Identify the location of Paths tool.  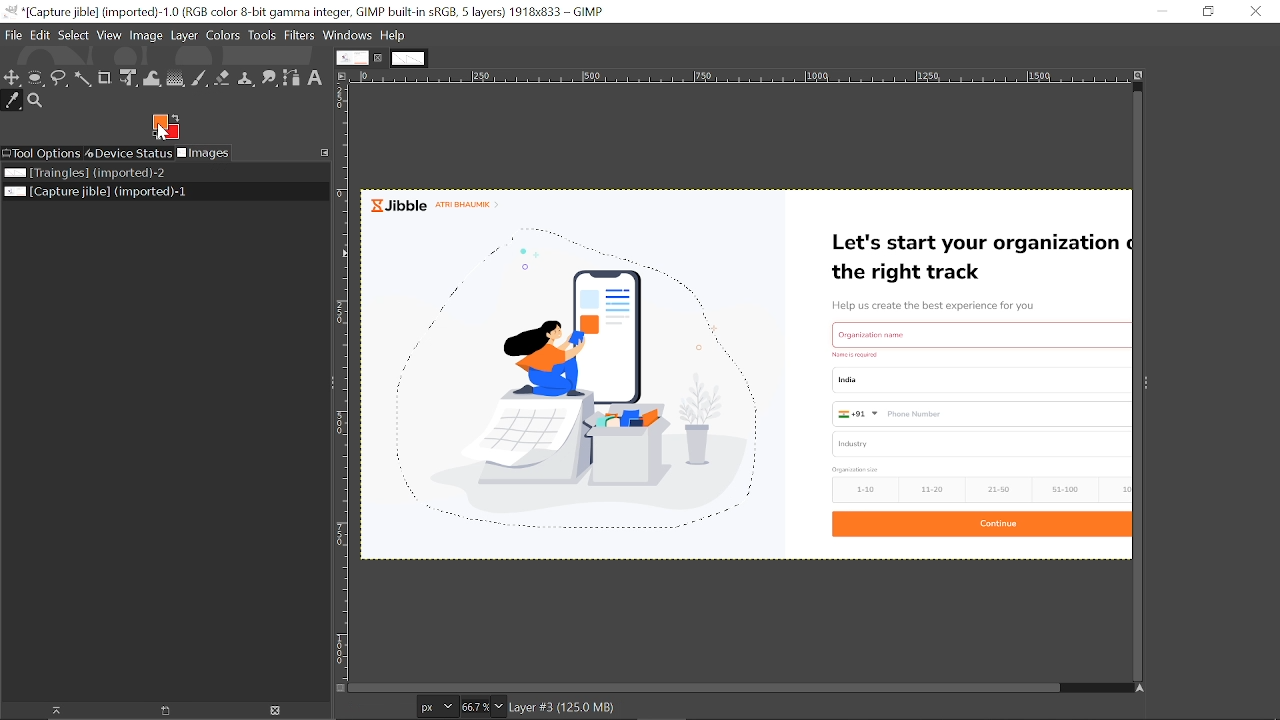
(291, 80).